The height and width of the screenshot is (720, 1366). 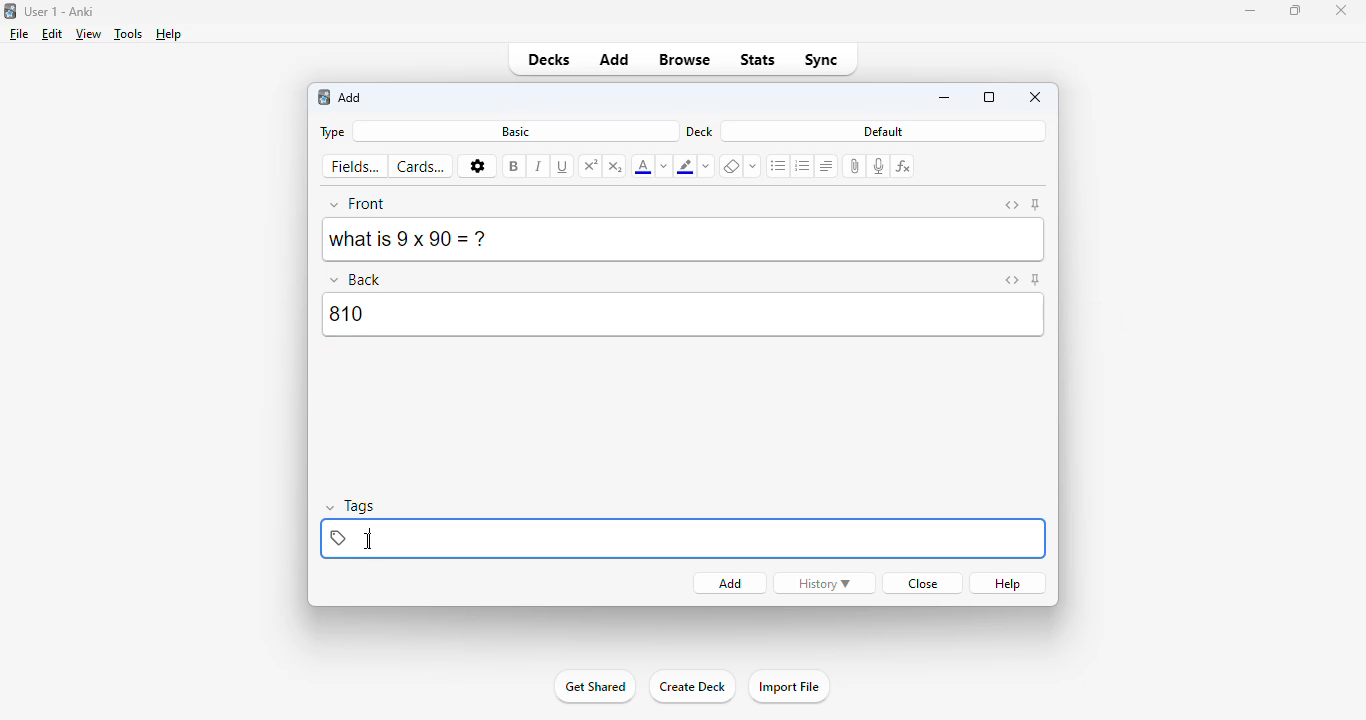 I want to click on create deck, so click(x=692, y=687).